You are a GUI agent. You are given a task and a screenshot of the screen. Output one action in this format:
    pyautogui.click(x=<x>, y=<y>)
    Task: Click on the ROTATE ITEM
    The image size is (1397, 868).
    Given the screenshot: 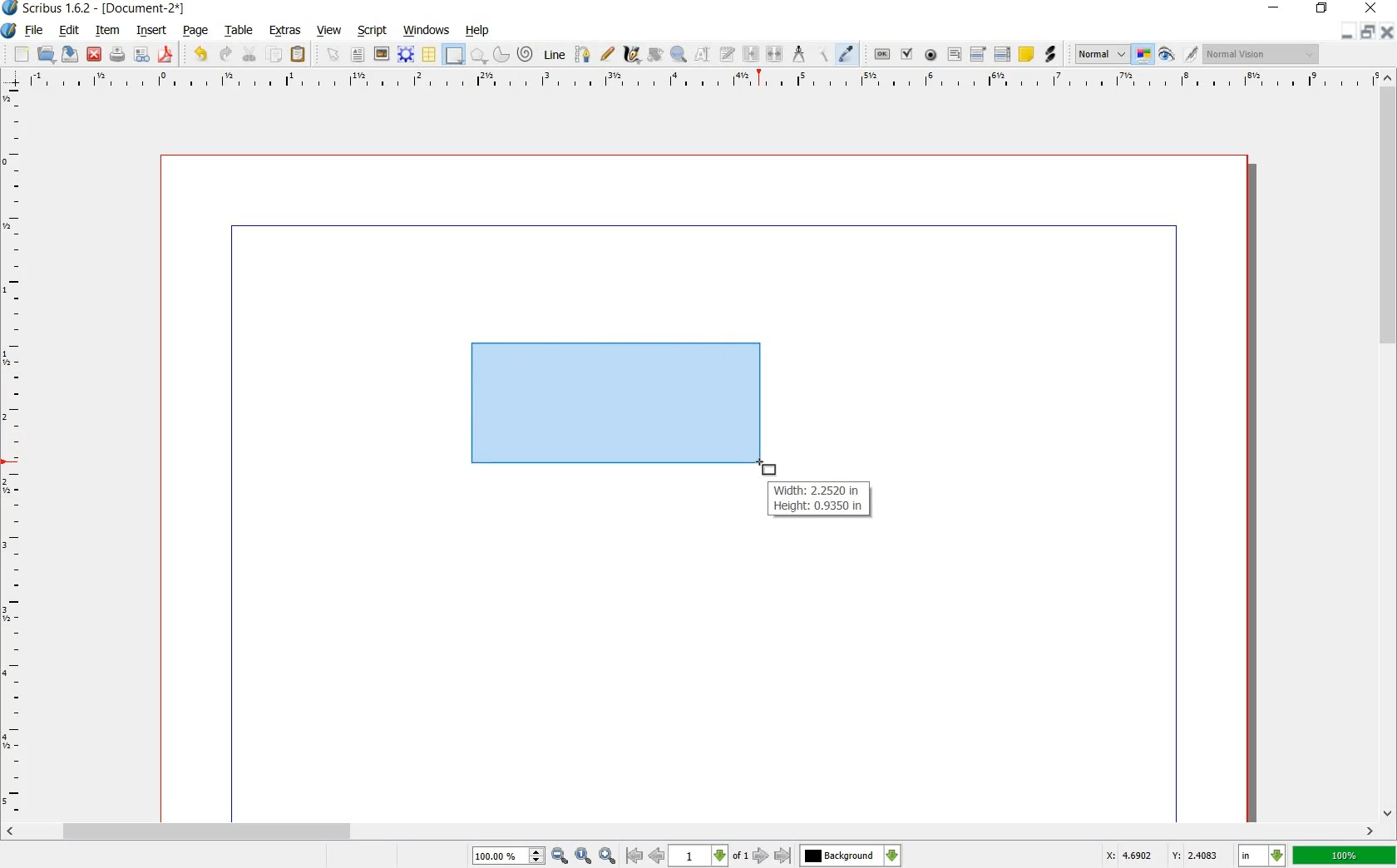 What is the action you would take?
    pyautogui.click(x=656, y=52)
    